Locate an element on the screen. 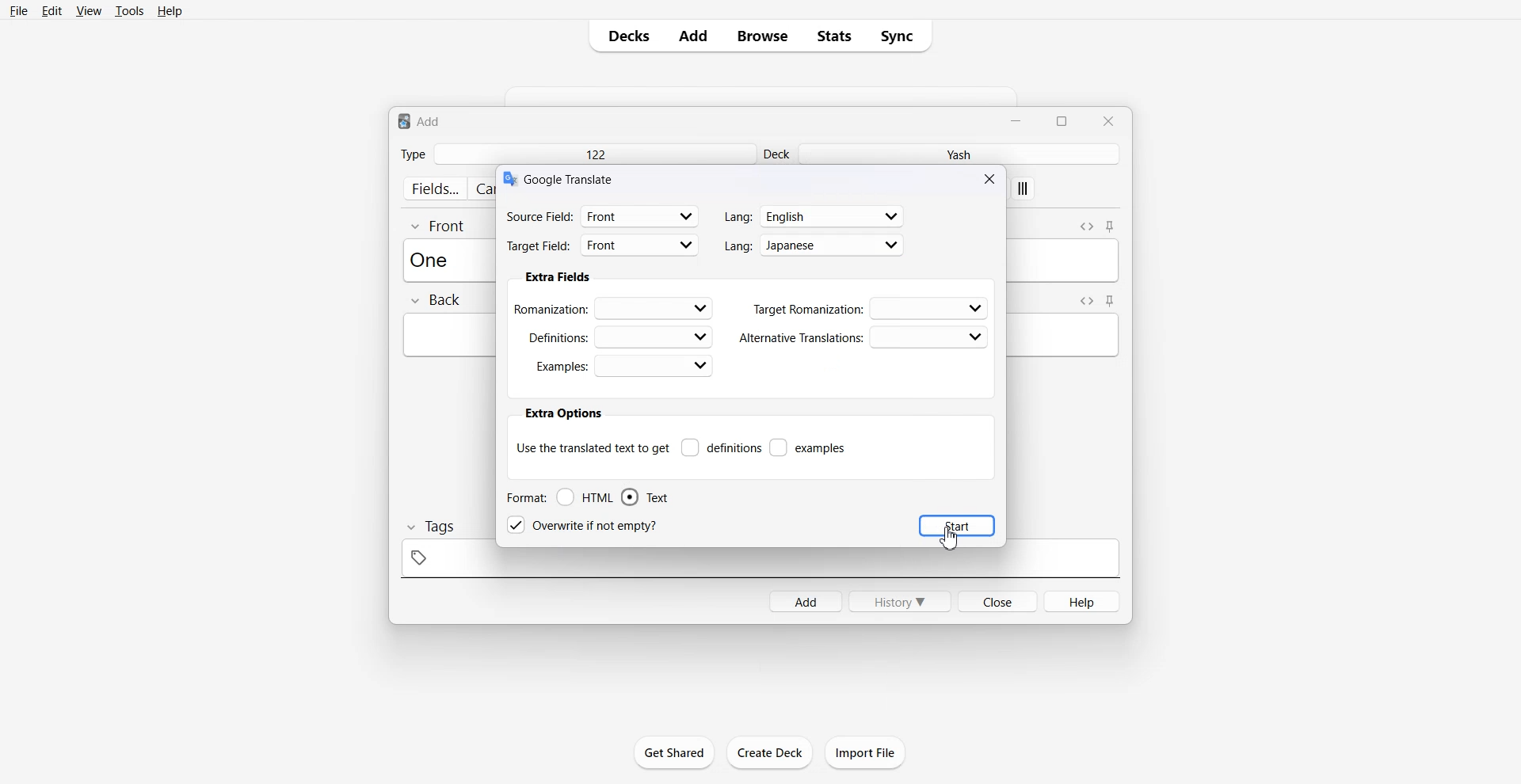 The image size is (1521, 784). Type is located at coordinates (413, 154).